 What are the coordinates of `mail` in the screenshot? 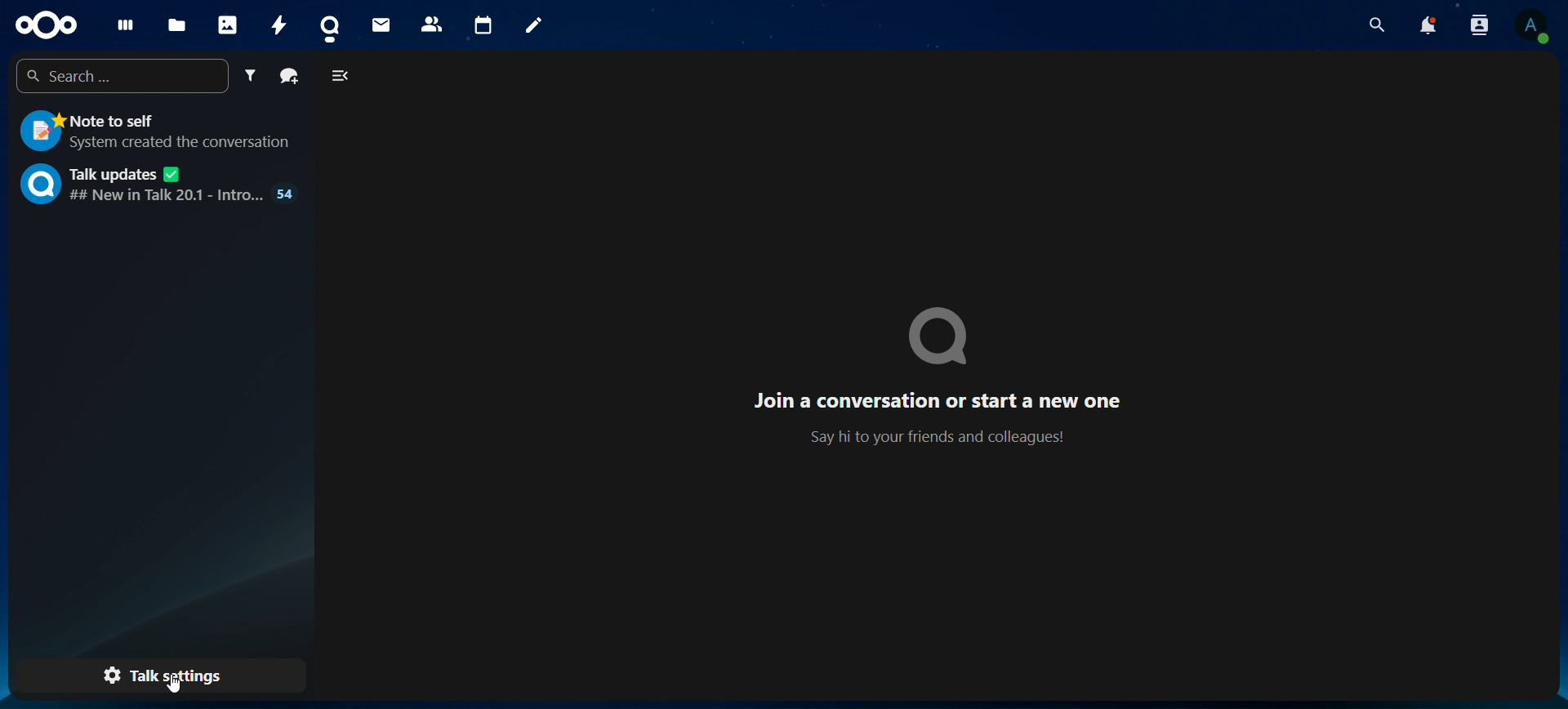 It's located at (381, 24).